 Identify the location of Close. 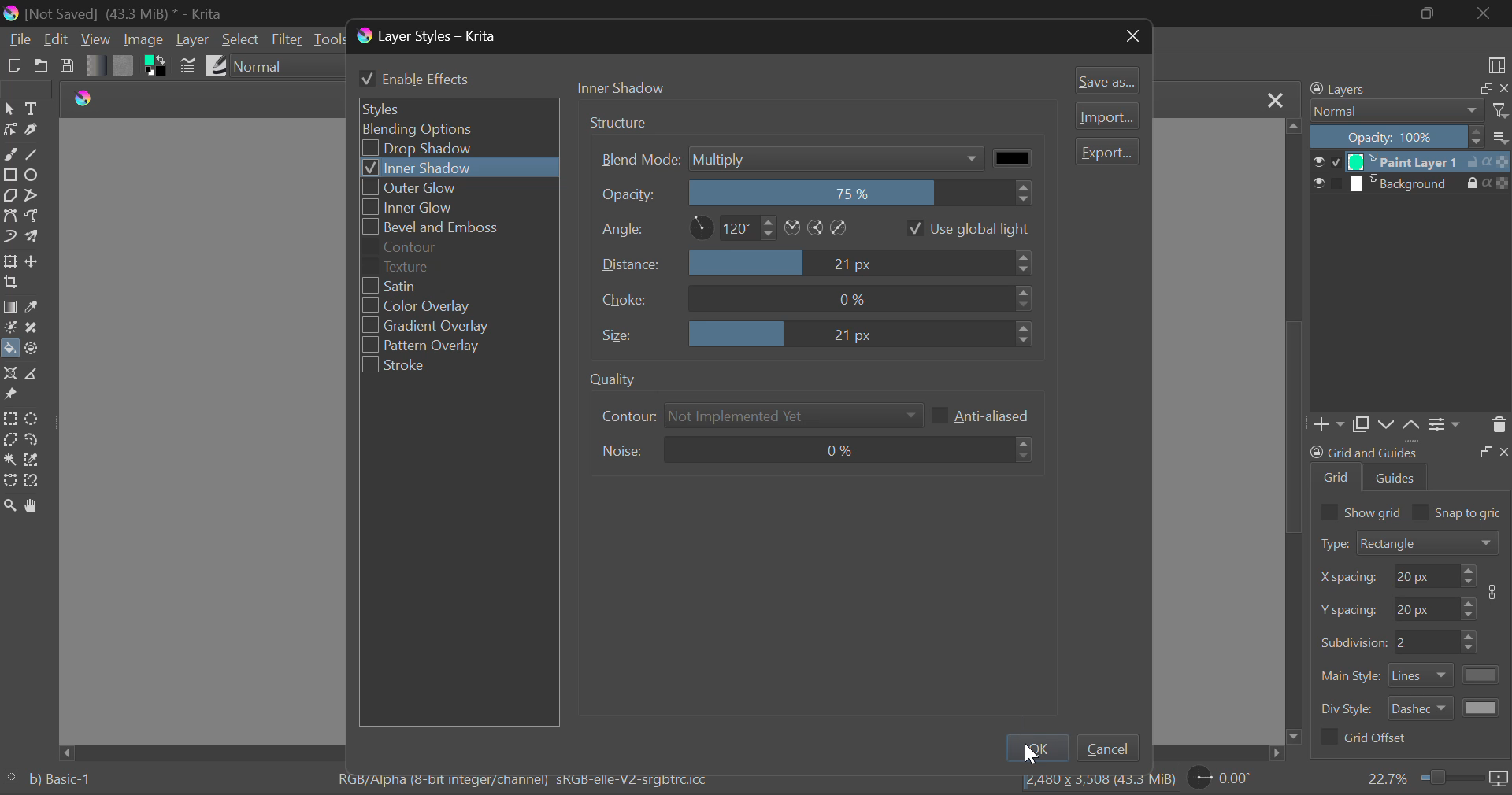
(1129, 33).